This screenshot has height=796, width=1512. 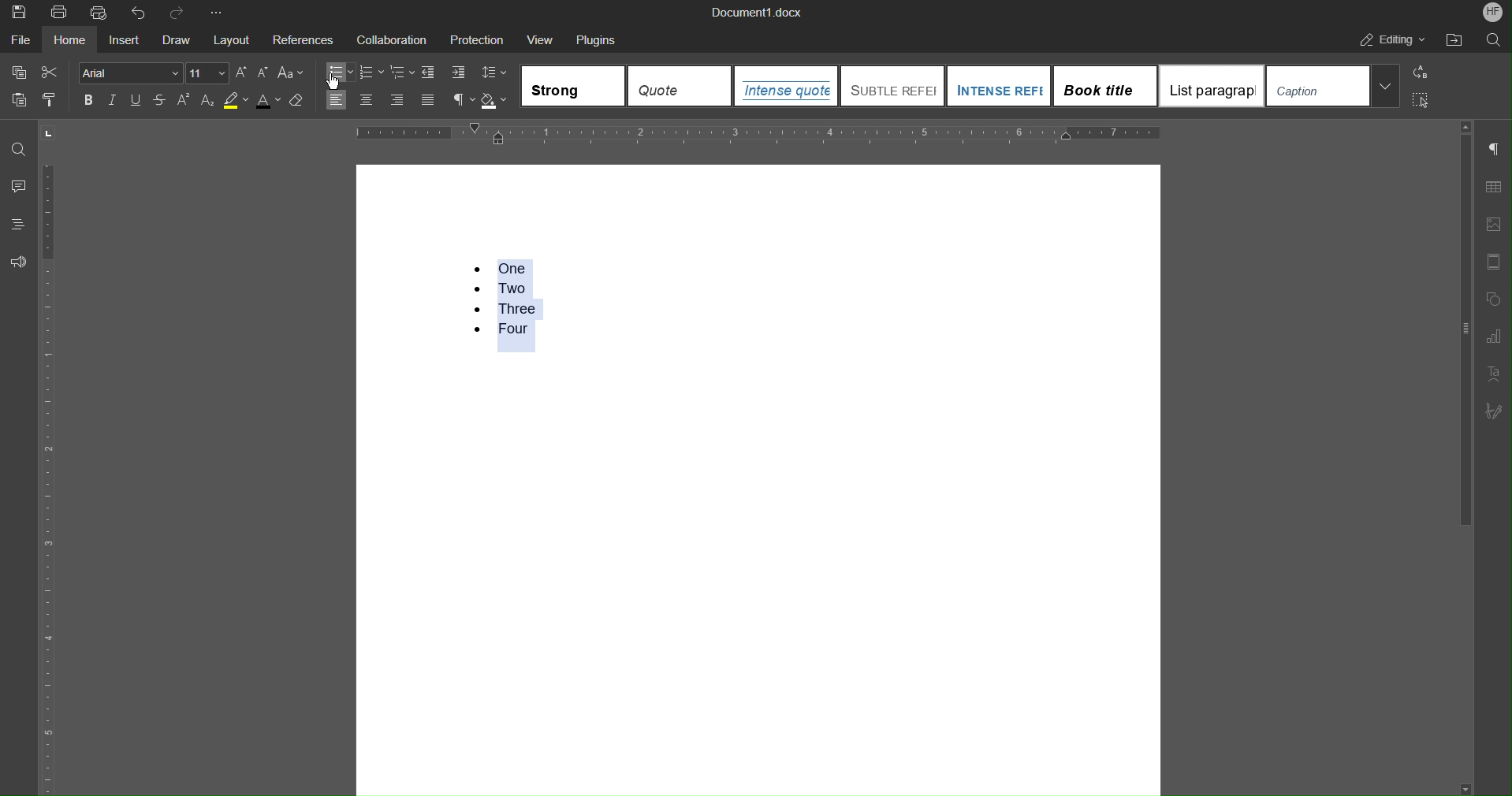 What do you see at coordinates (241, 73) in the screenshot?
I see `Increase Size` at bounding box center [241, 73].